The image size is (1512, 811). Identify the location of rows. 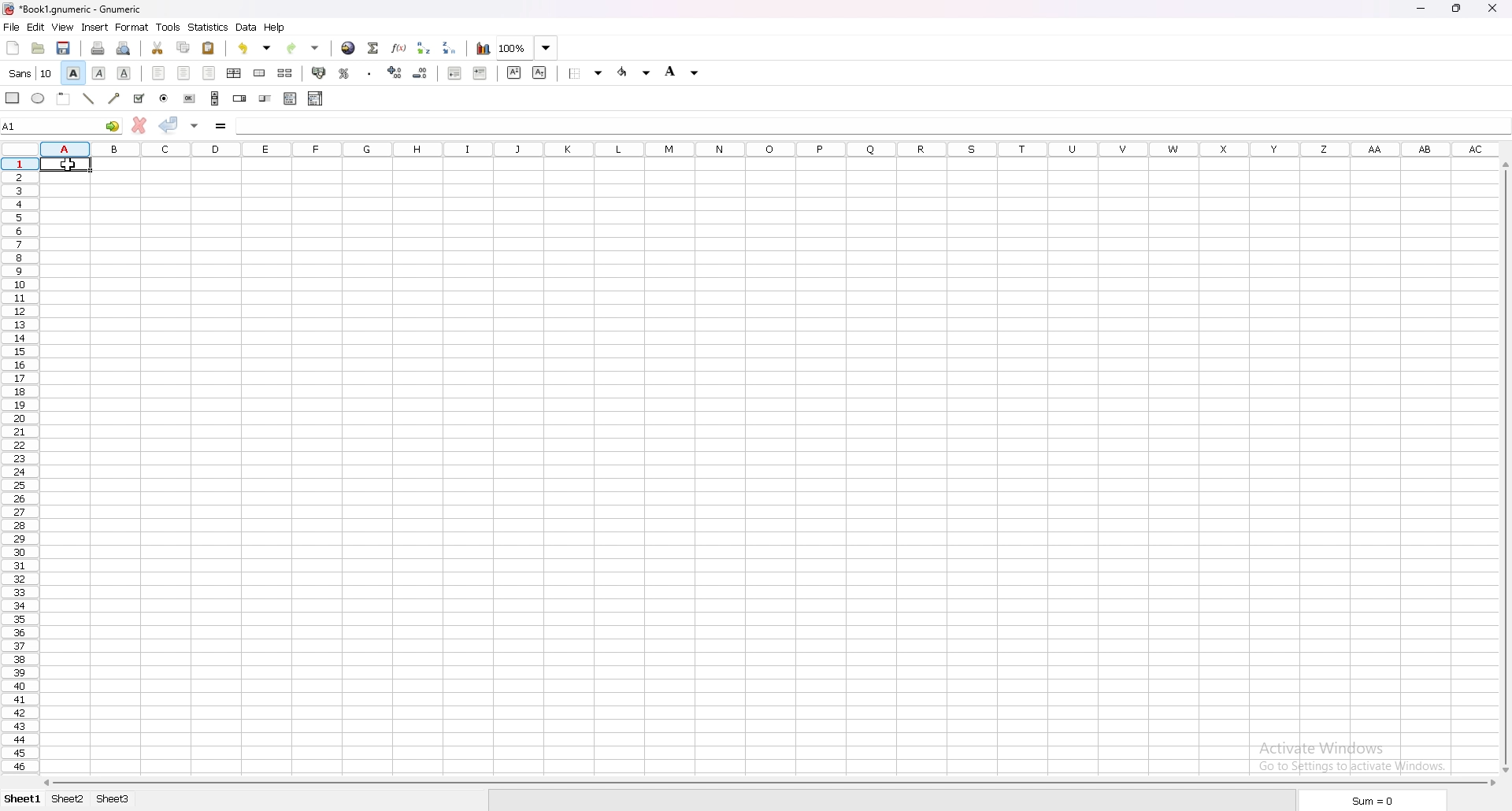
(18, 468).